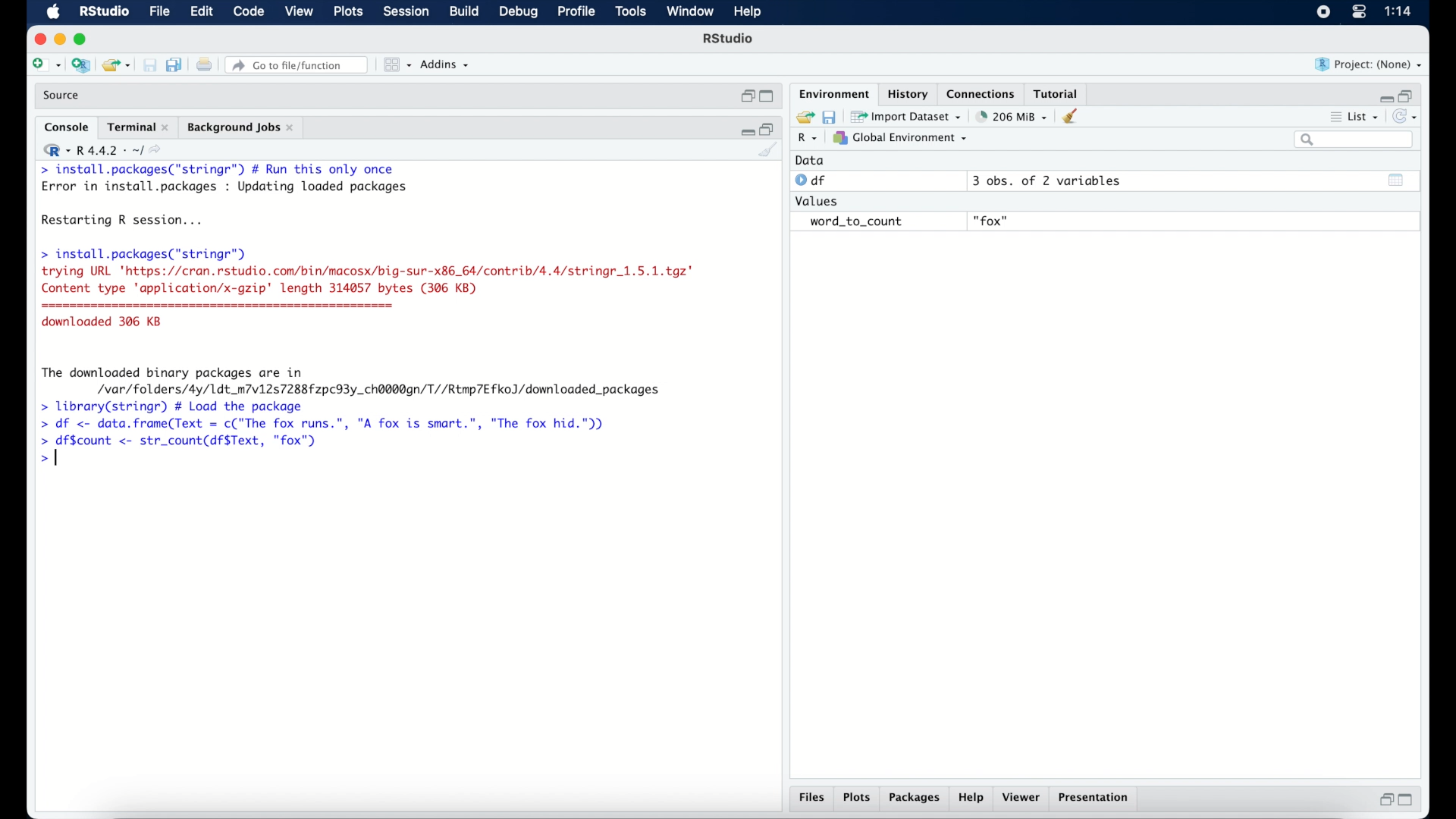 The width and height of the screenshot is (1456, 819). I want to click on build, so click(463, 11).